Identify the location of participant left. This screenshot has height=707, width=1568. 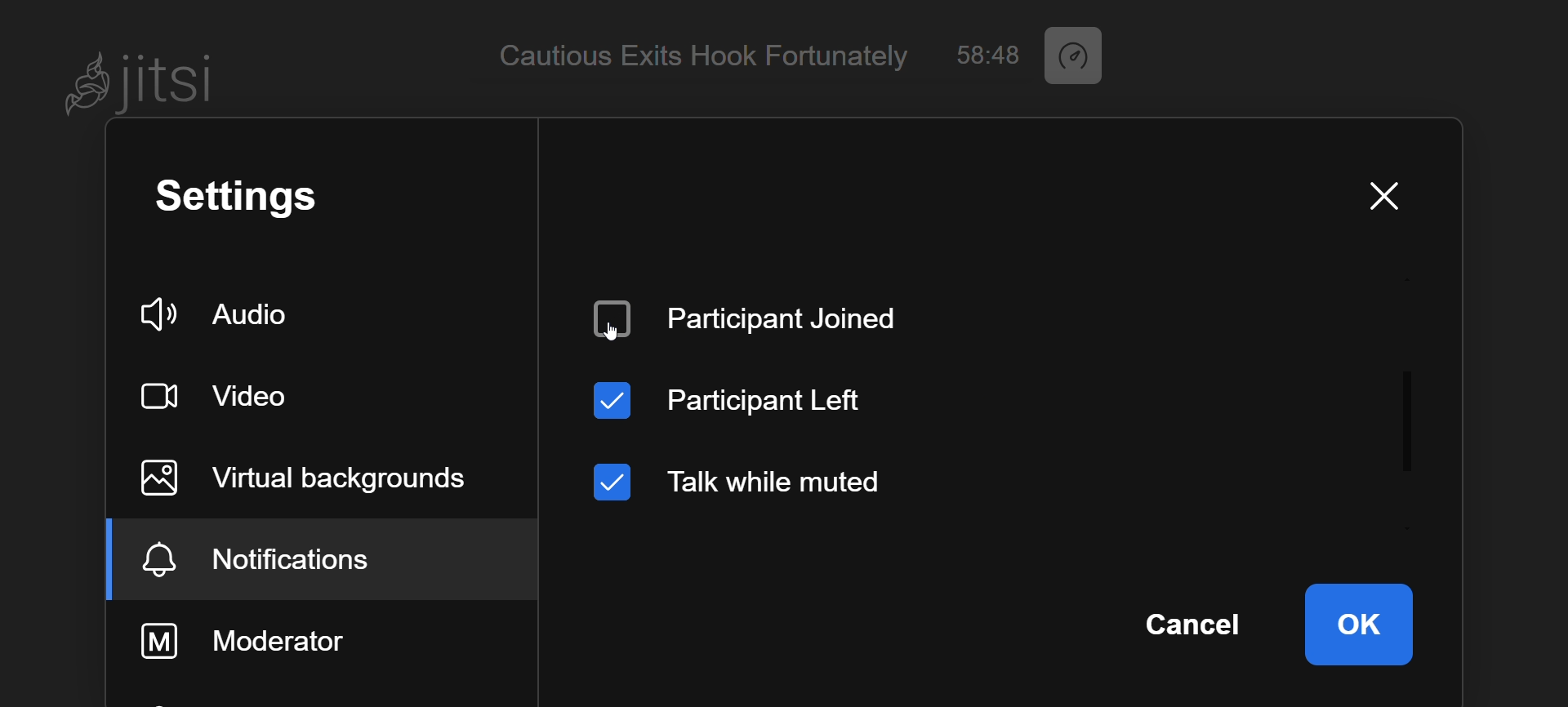
(735, 398).